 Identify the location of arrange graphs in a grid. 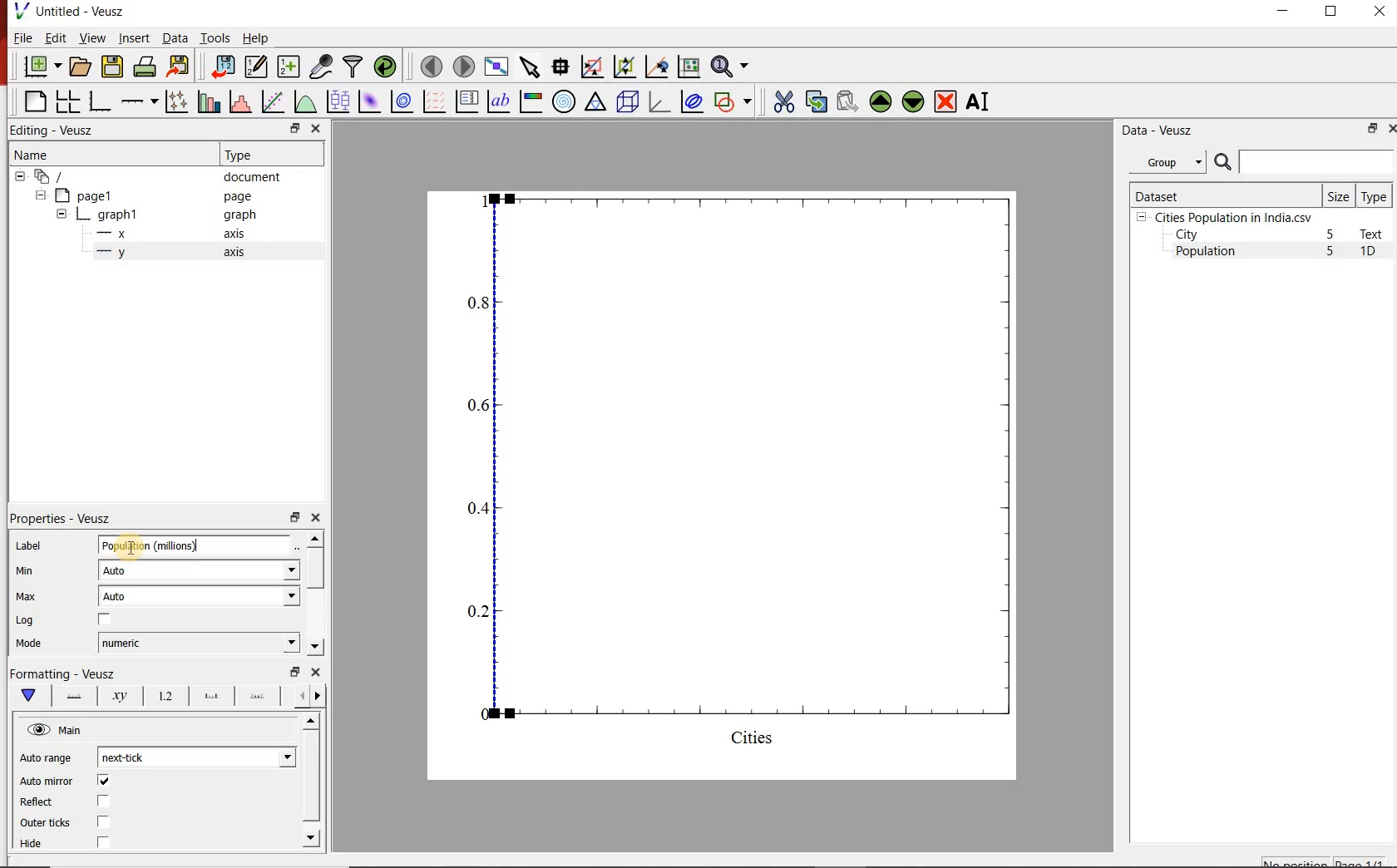
(67, 101).